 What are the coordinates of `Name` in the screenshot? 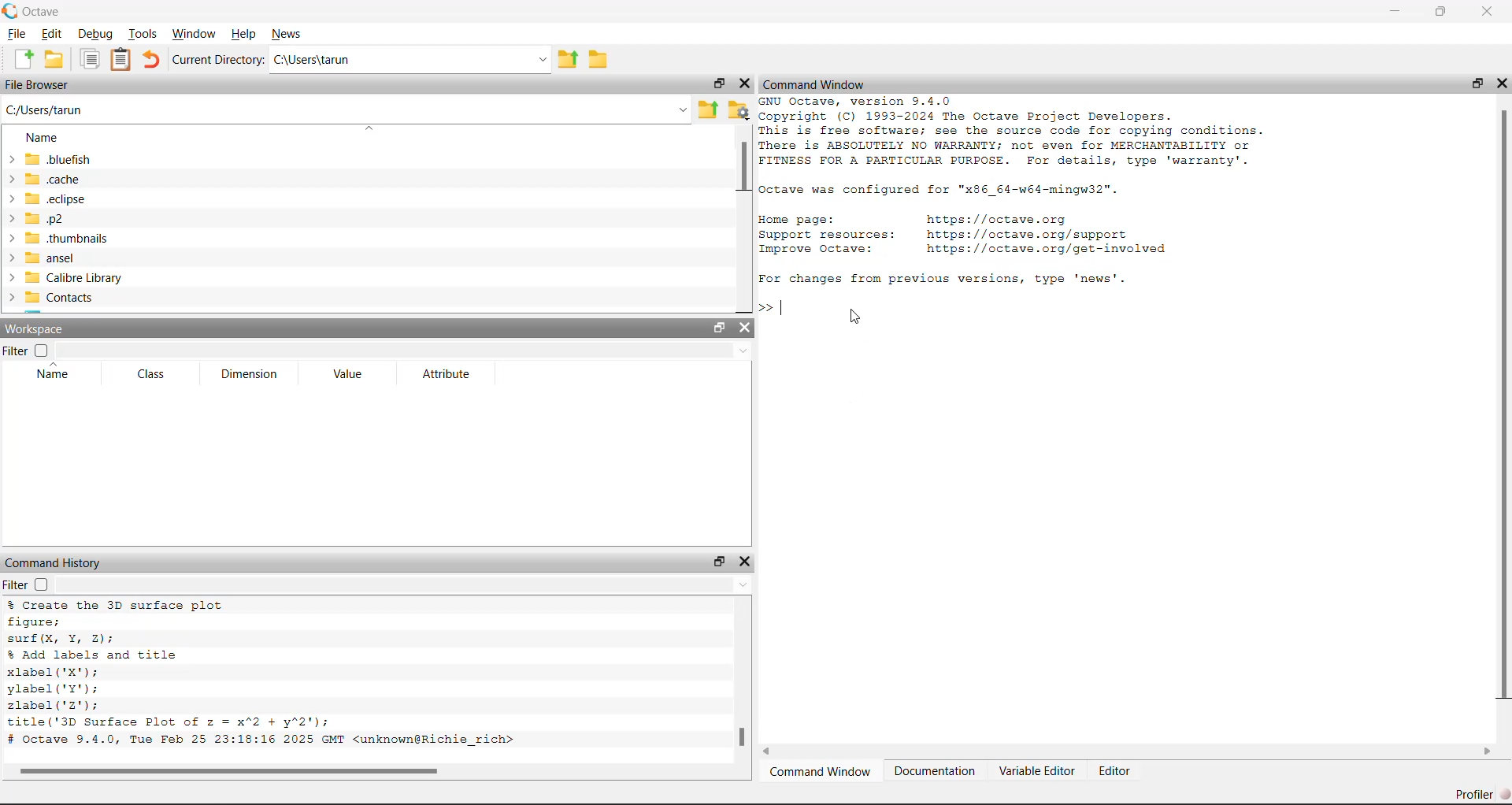 It's located at (43, 137).